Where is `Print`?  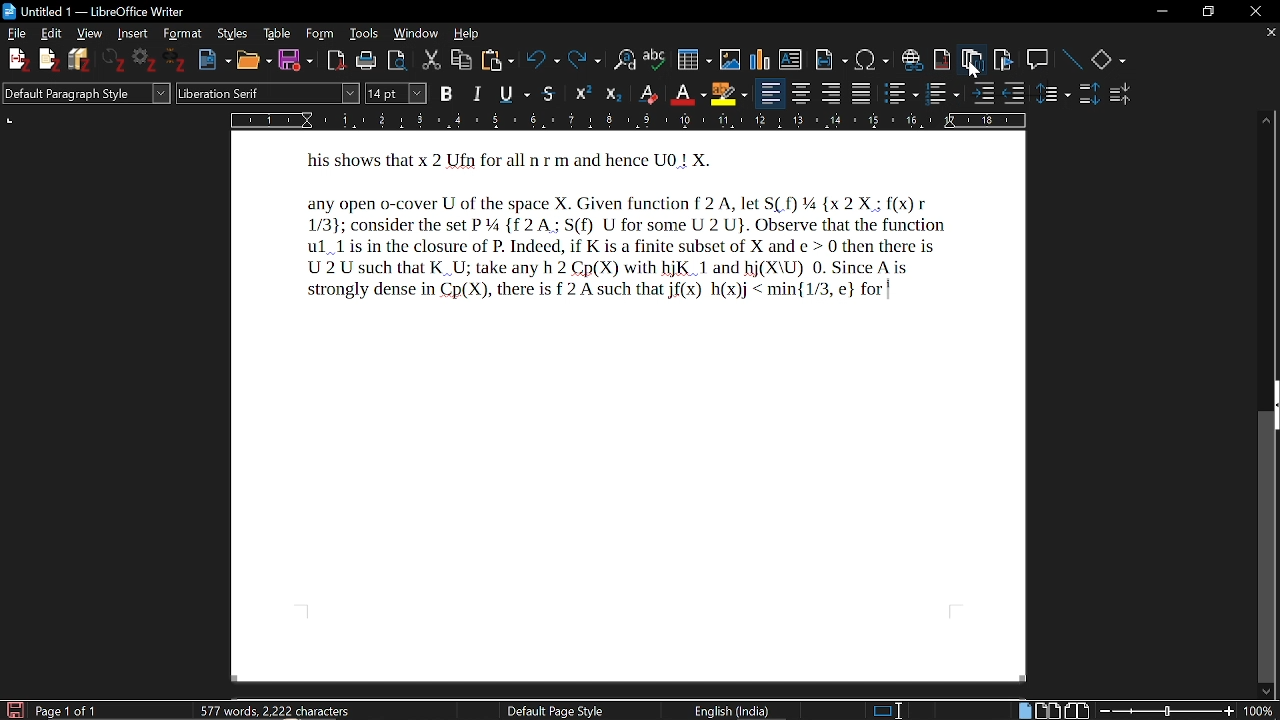
Print is located at coordinates (367, 59).